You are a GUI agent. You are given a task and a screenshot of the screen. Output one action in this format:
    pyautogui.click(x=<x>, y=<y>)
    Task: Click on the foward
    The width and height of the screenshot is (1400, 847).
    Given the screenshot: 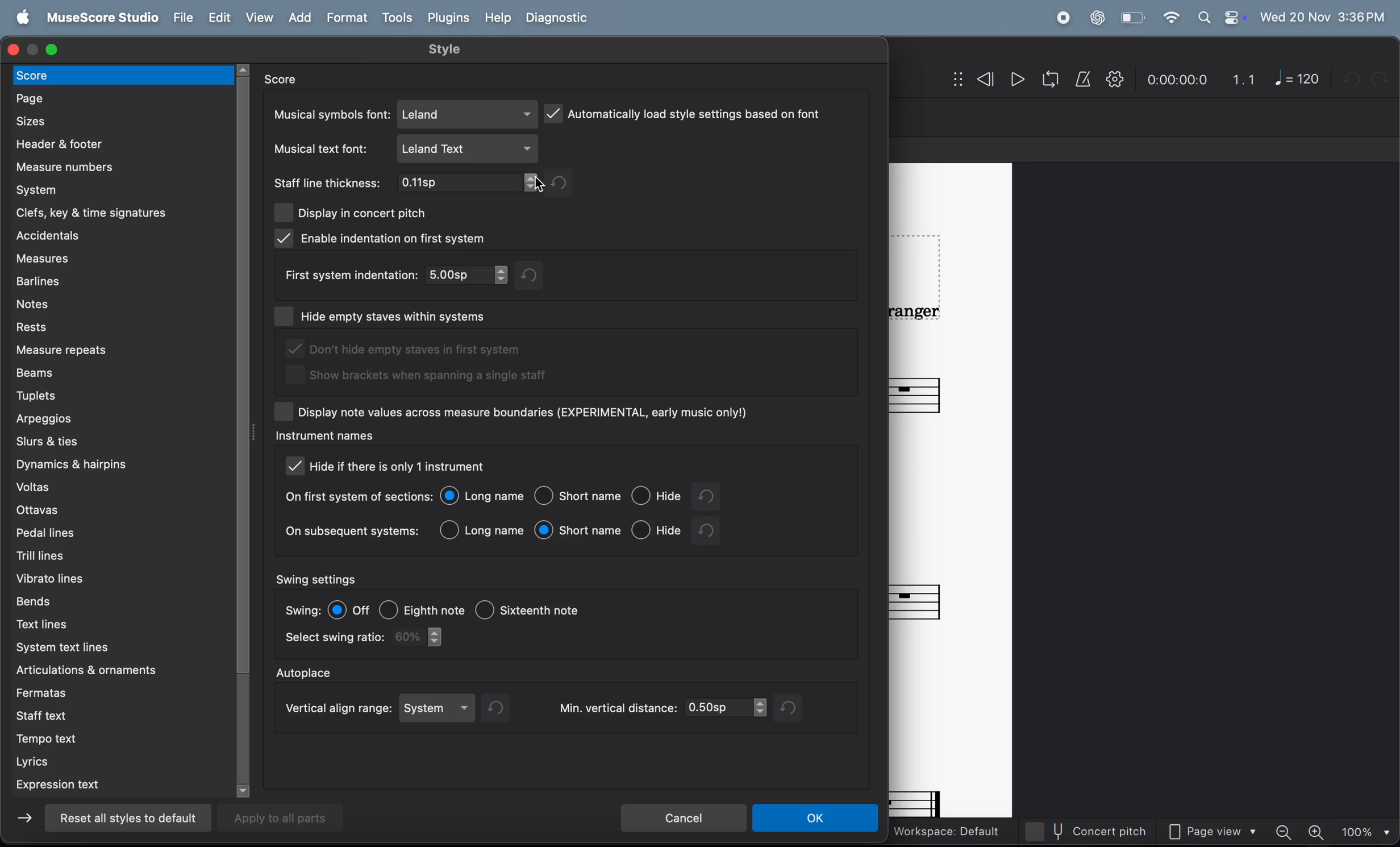 What is the action you would take?
    pyautogui.click(x=27, y=821)
    